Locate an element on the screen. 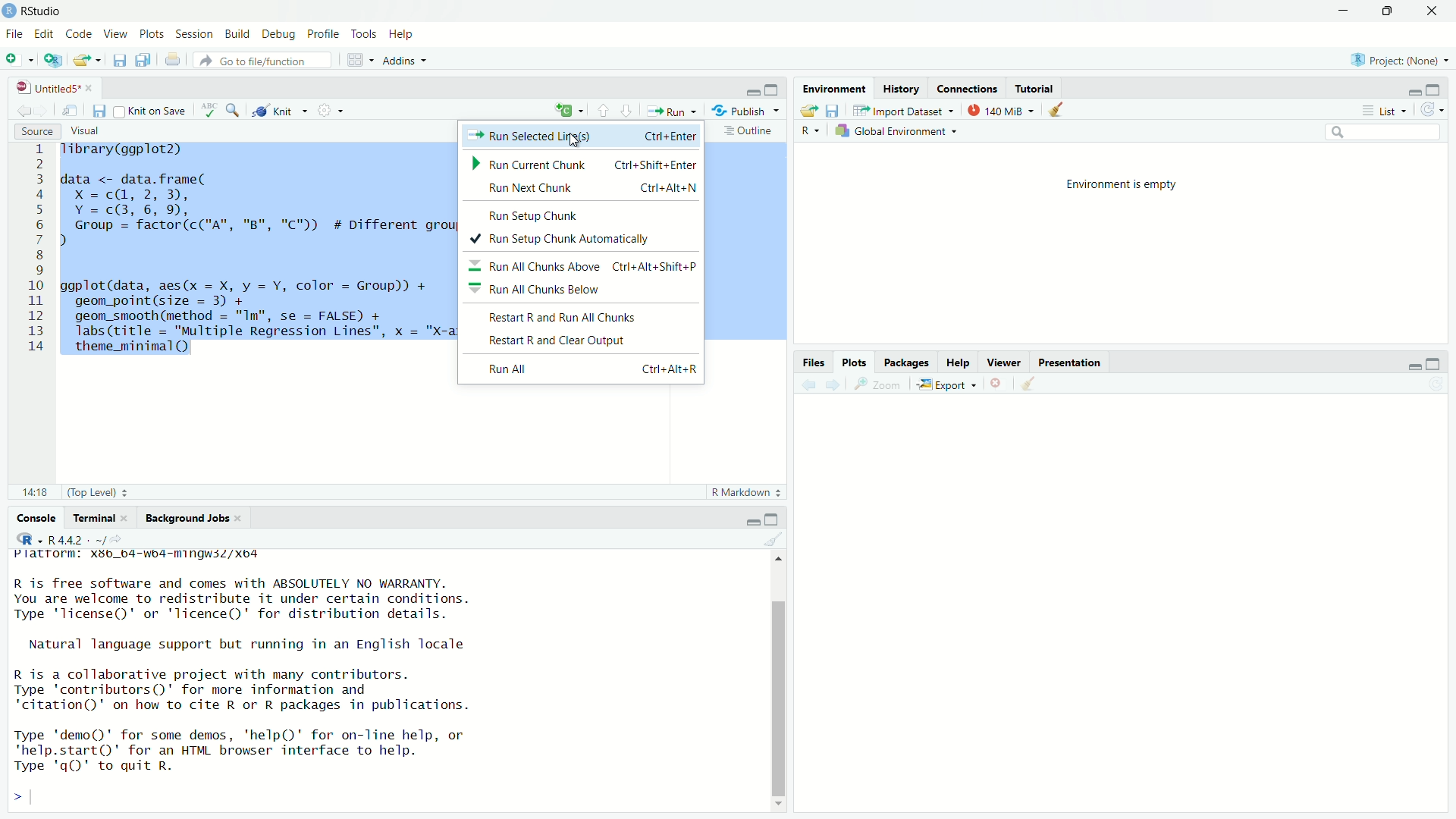 This screenshot has width=1456, height=819. minimise is located at coordinates (1399, 362).